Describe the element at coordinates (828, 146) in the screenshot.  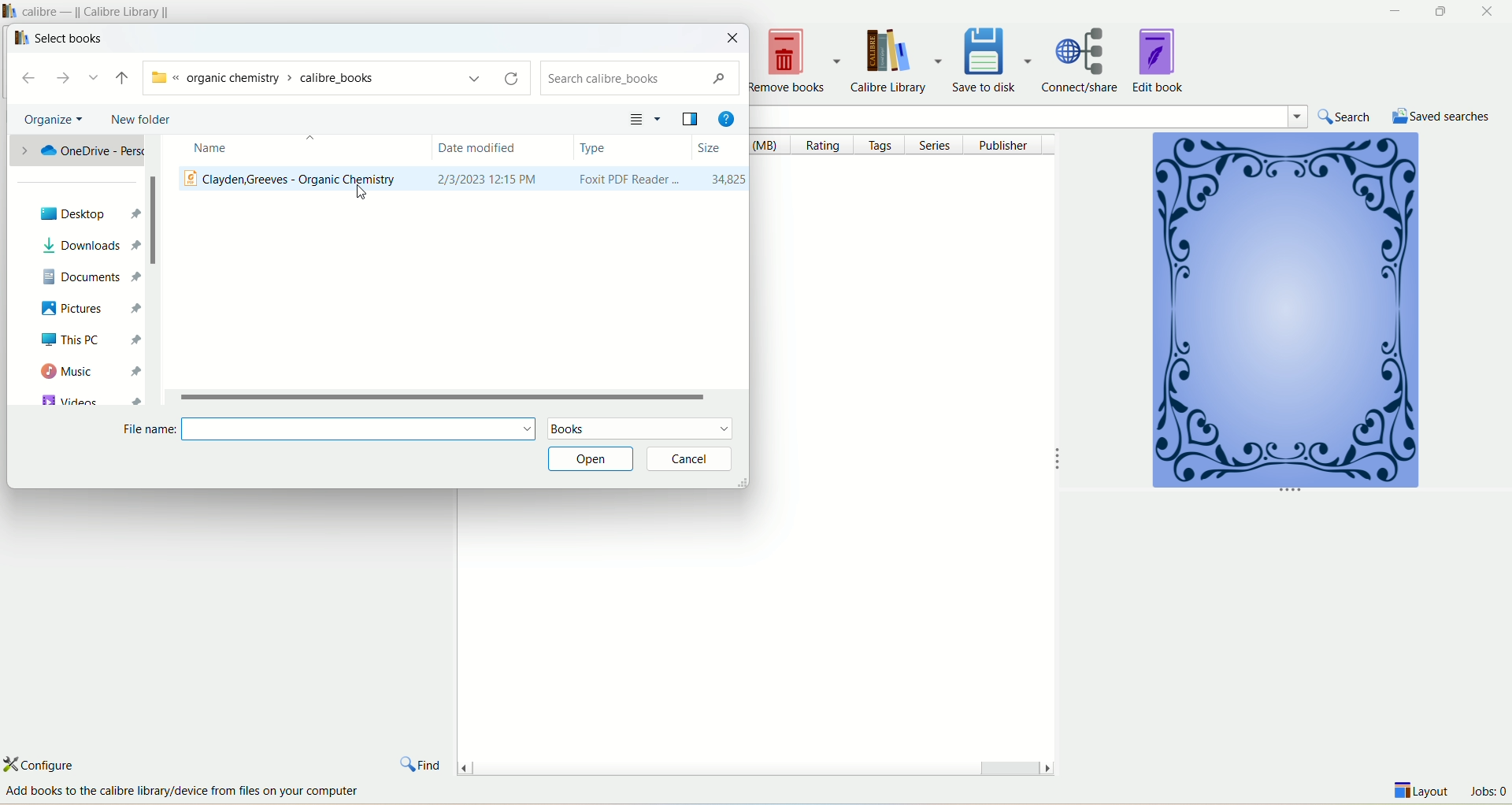
I see `rating` at that location.